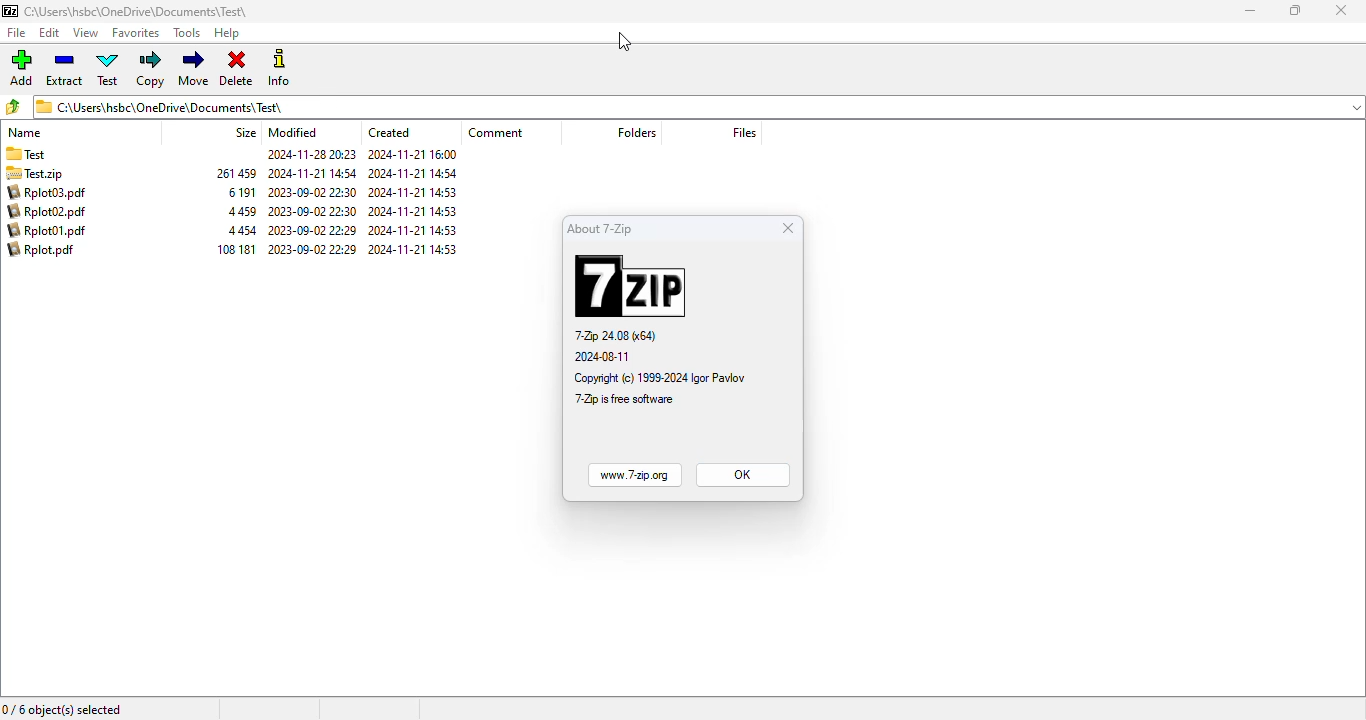  I want to click on comment, so click(498, 132).